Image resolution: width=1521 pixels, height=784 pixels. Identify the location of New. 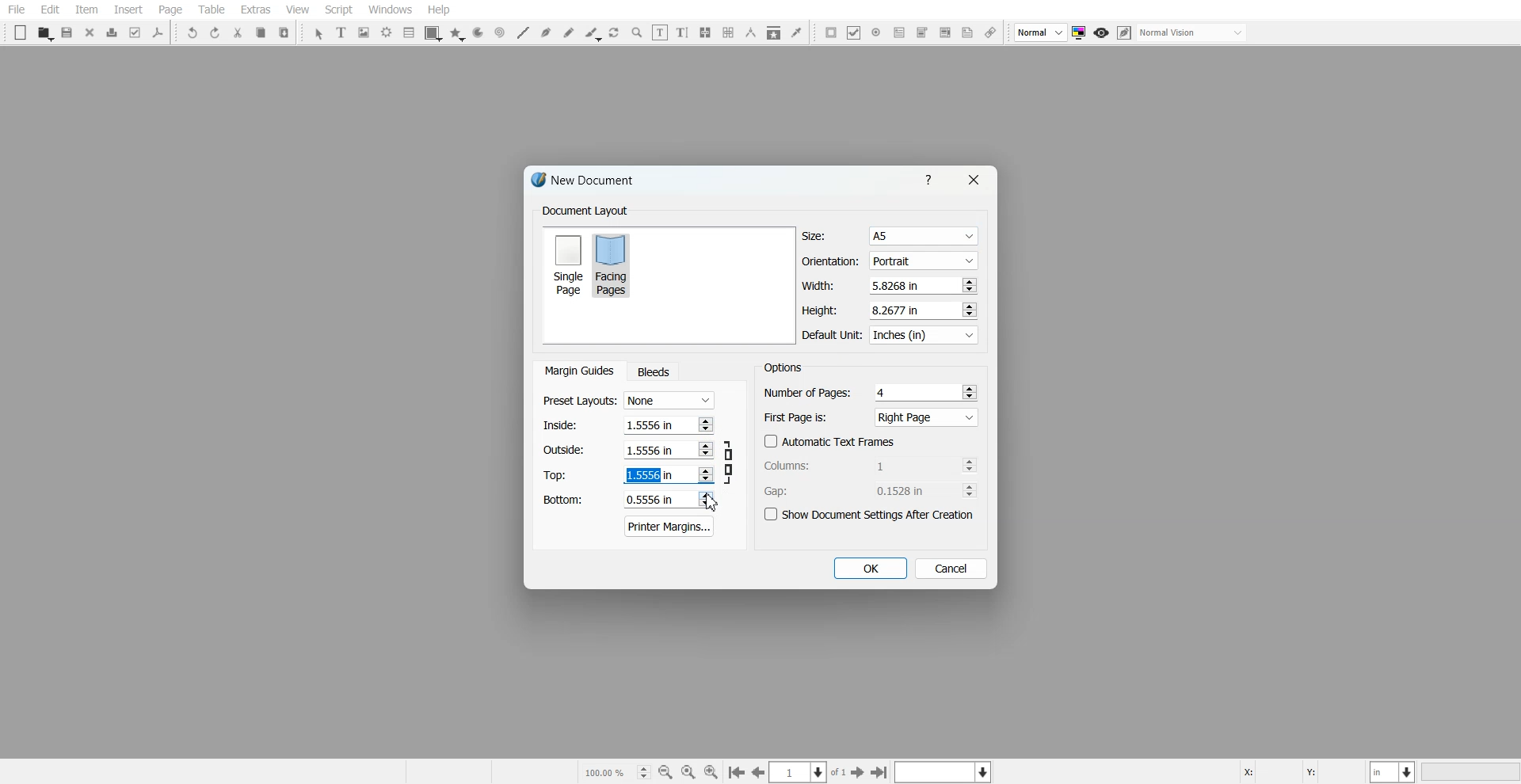
(21, 32).